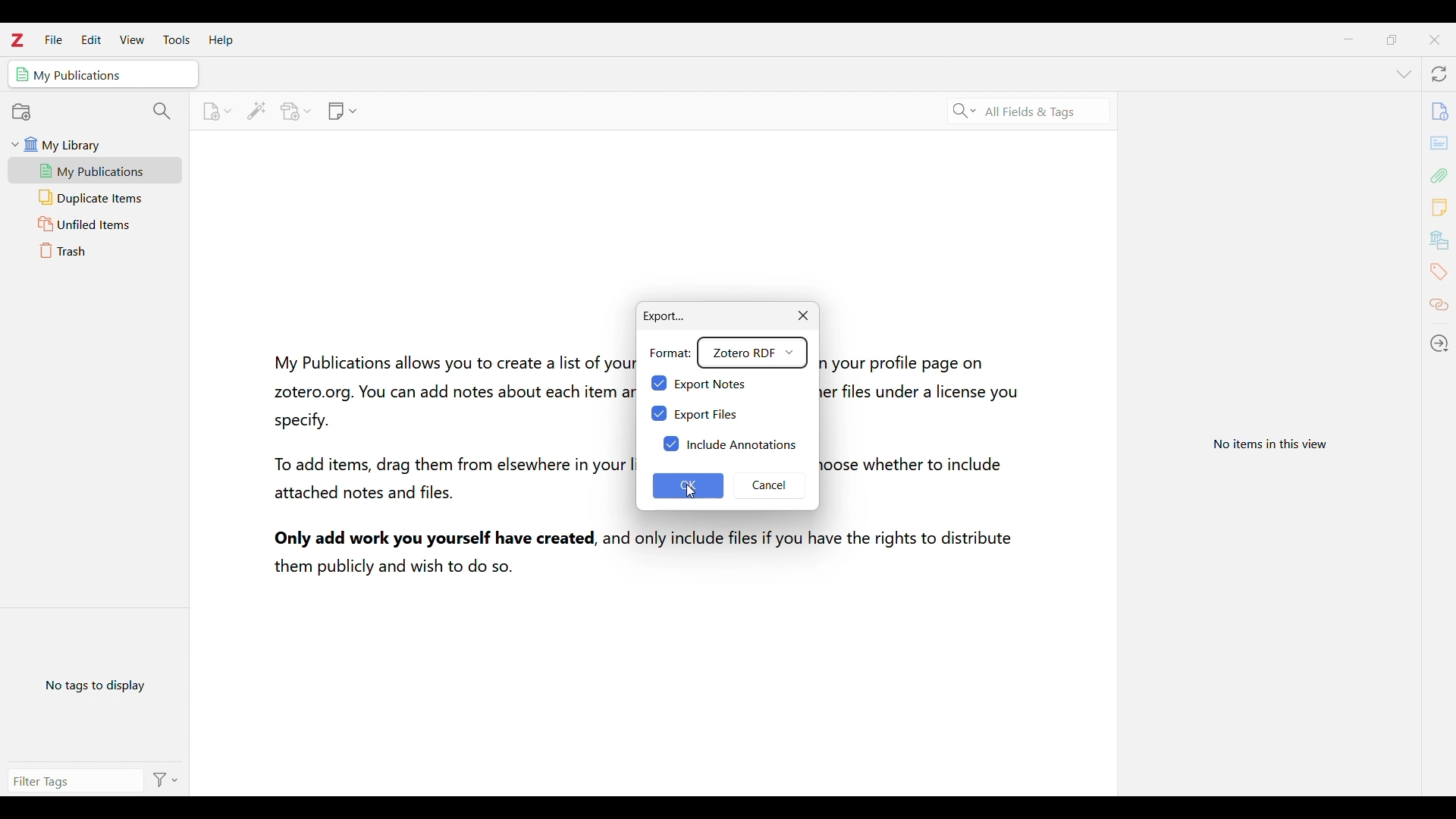 This screenshot has width=1456, height=819. Describe the element at coordinates (730, 444) in the screenshot. I see `Include Annotations` at that location.